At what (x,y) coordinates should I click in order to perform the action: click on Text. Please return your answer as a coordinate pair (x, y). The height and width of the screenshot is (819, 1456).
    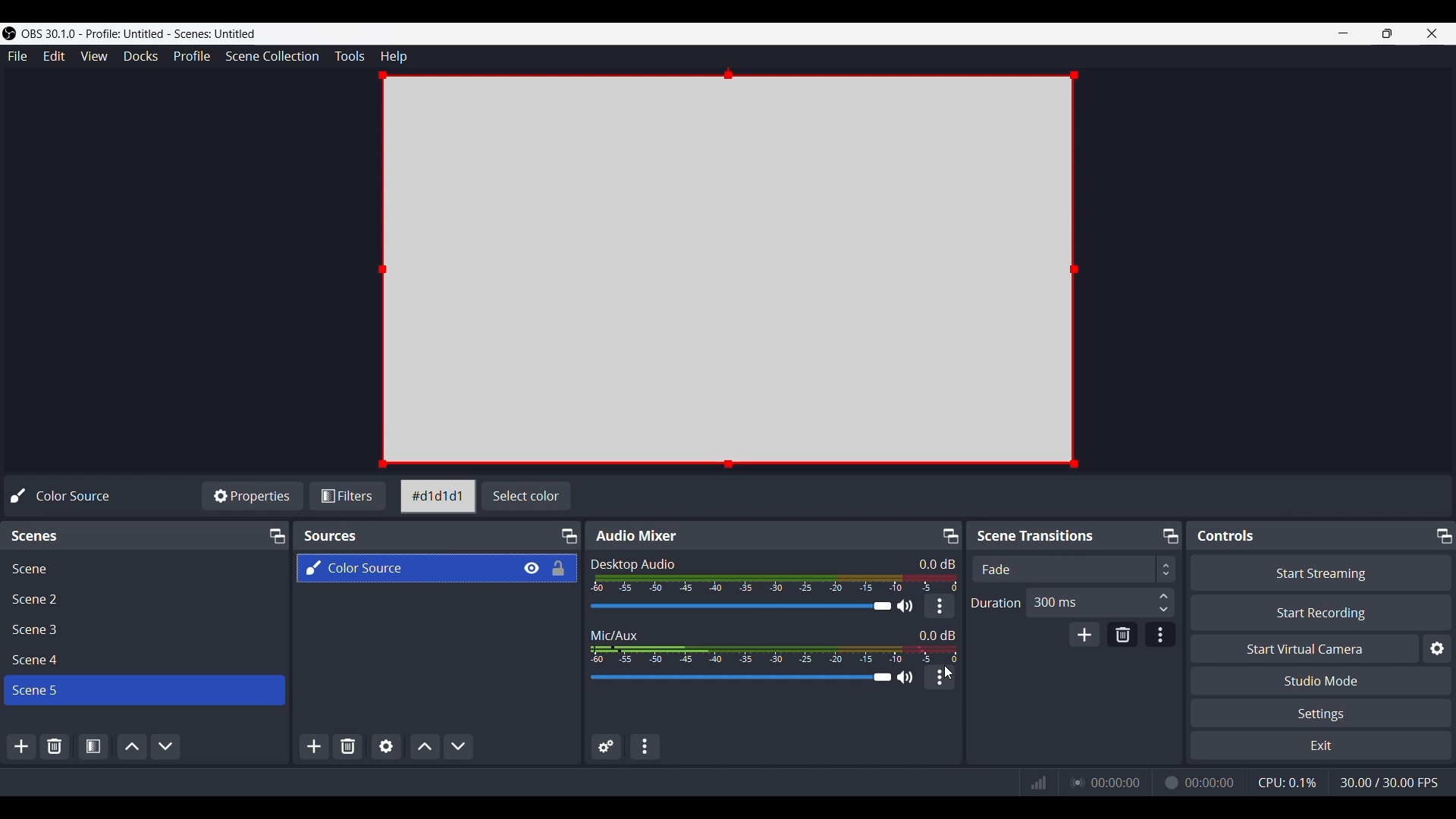
    Looking at the image, I should click on (1037, 536).